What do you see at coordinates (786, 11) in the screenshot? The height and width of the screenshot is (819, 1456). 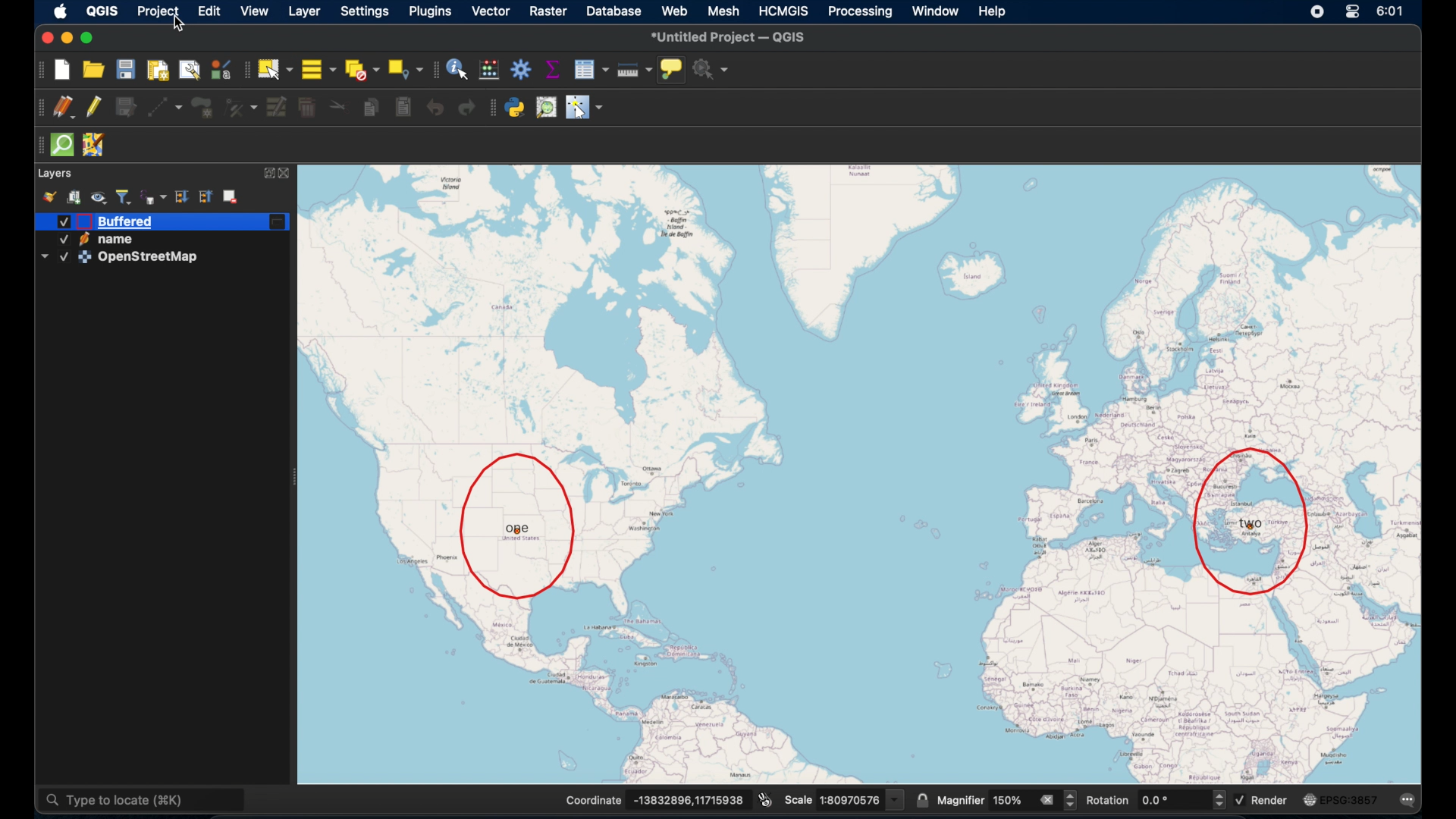 I see `HCMGIS` at bounding box center [786, 11].